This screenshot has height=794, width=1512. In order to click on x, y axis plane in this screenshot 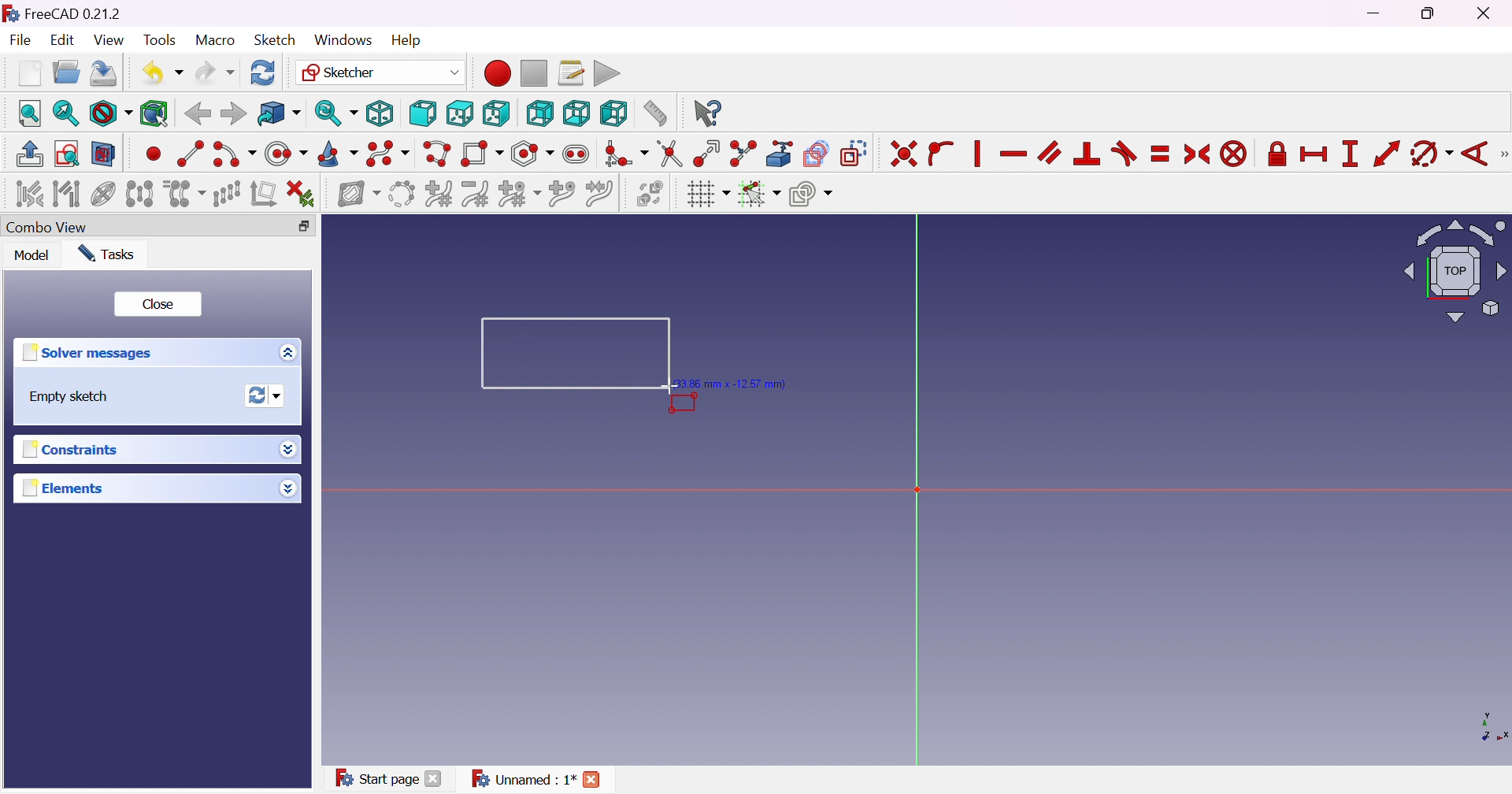, I will do `click(1484, 725)`.